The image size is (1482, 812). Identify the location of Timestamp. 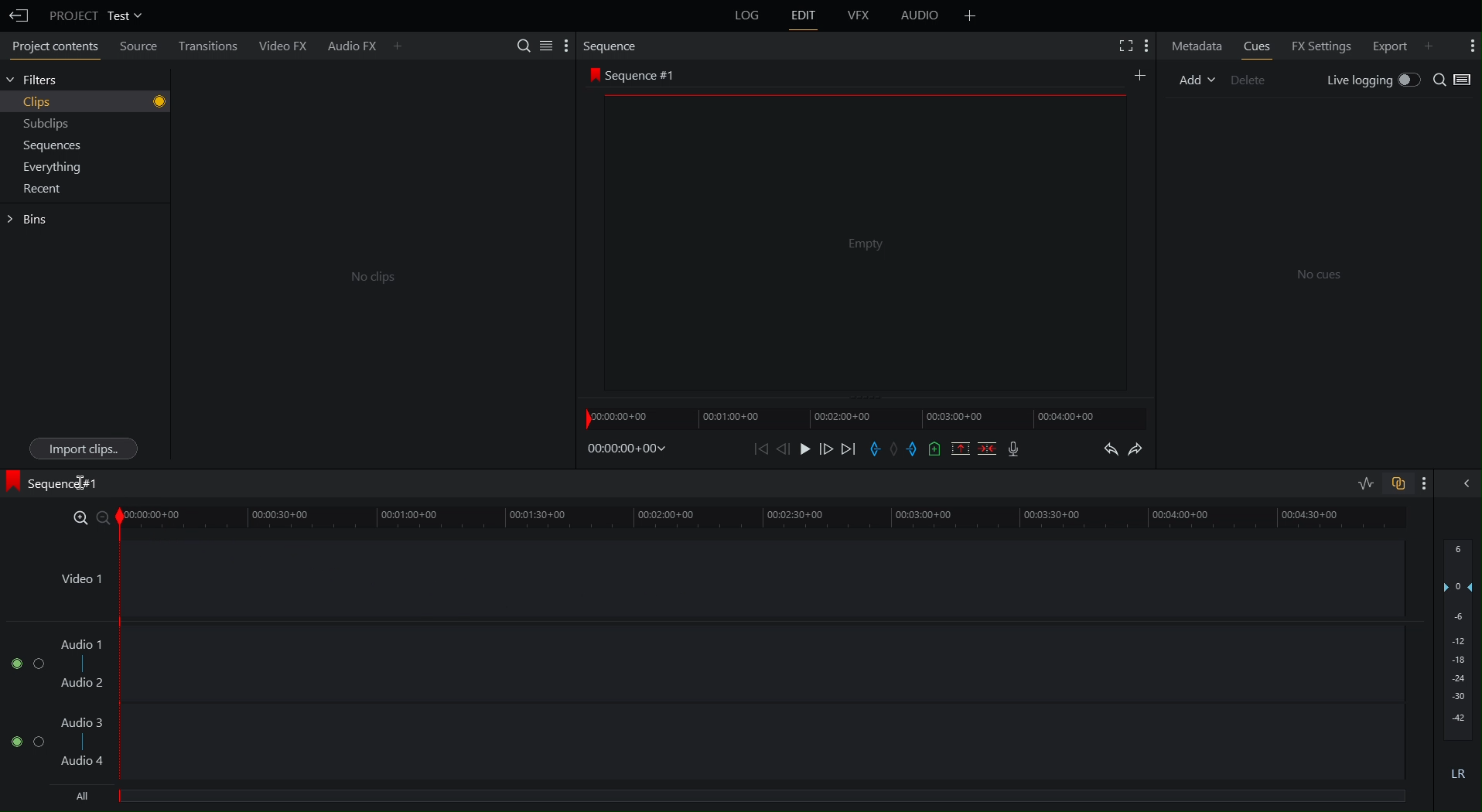
(625, 451).